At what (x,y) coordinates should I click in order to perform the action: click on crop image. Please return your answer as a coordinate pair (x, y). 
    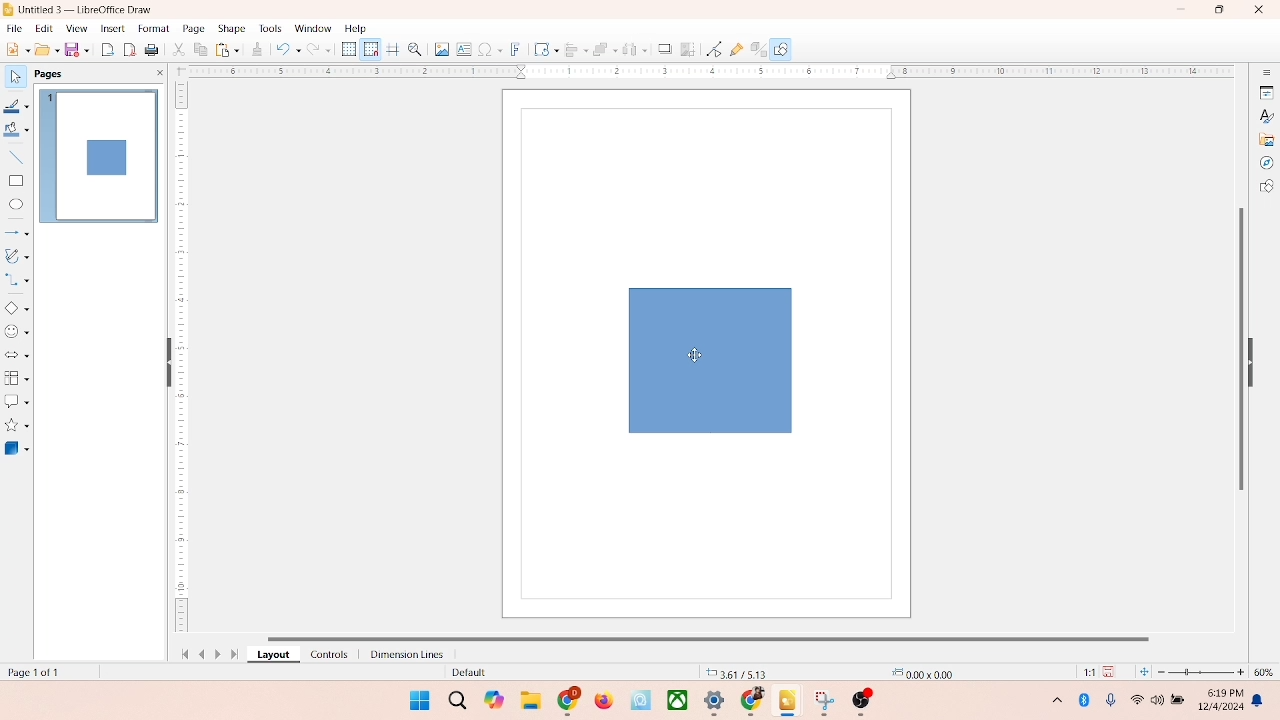
    Looking at the image, I should click on (688, 49).